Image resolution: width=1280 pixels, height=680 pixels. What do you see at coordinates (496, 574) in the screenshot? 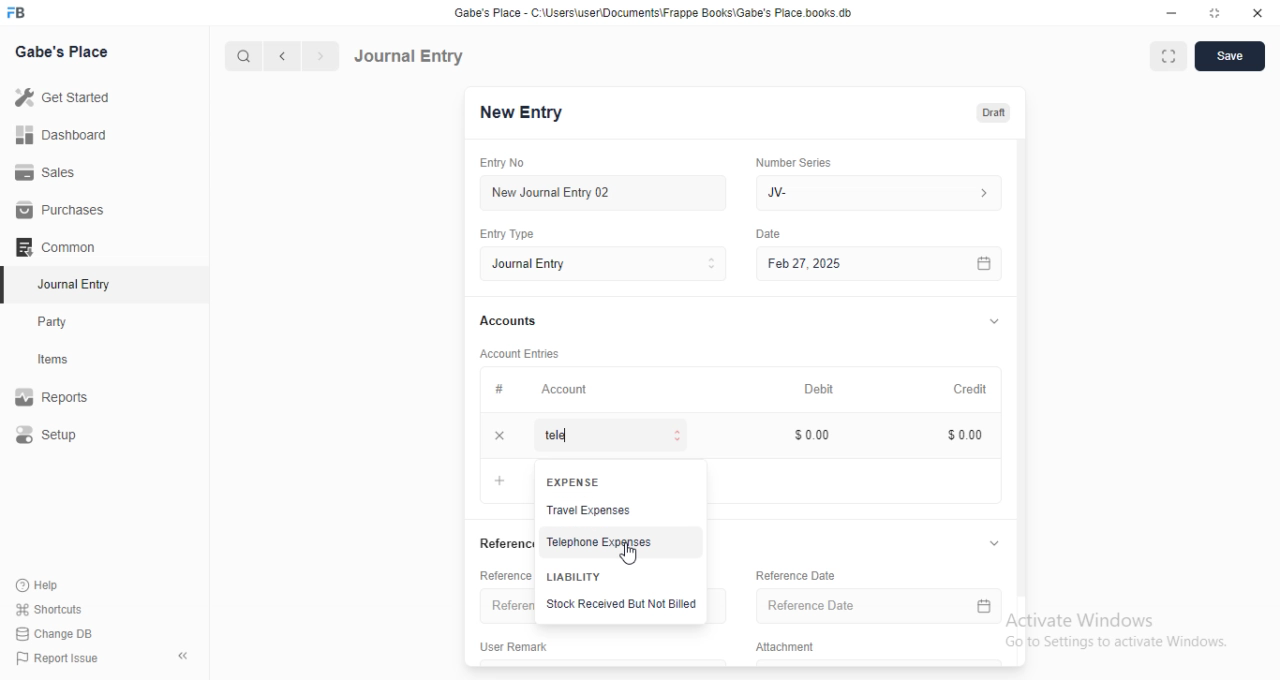
I see `Reference Number` at bounding box center [496, 574].